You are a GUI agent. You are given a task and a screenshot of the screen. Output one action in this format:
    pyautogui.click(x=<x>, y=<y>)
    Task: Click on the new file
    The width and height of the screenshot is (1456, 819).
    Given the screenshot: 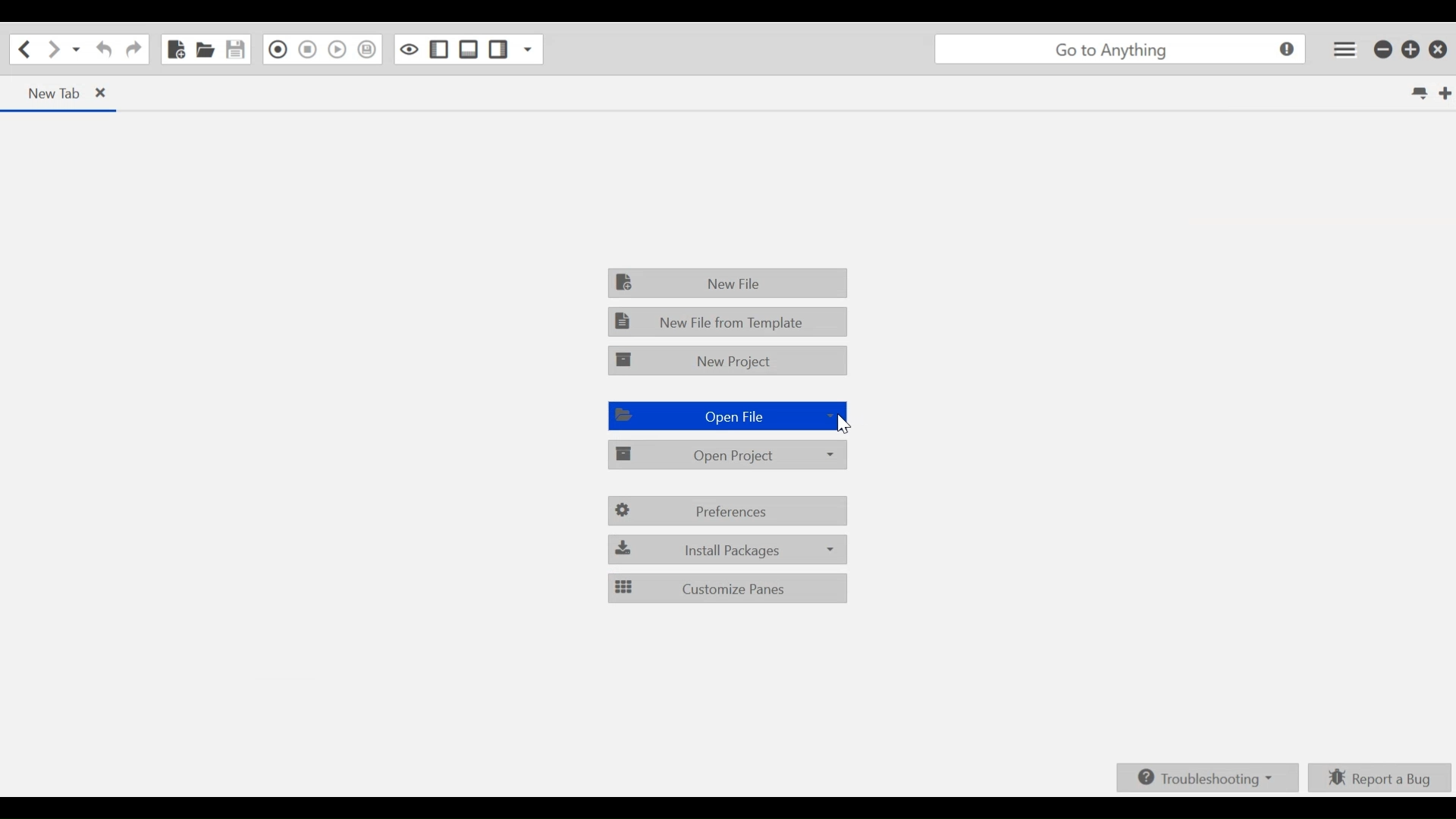 What is the action you would take?
    pyautogui.click(x=175, y=49)
    